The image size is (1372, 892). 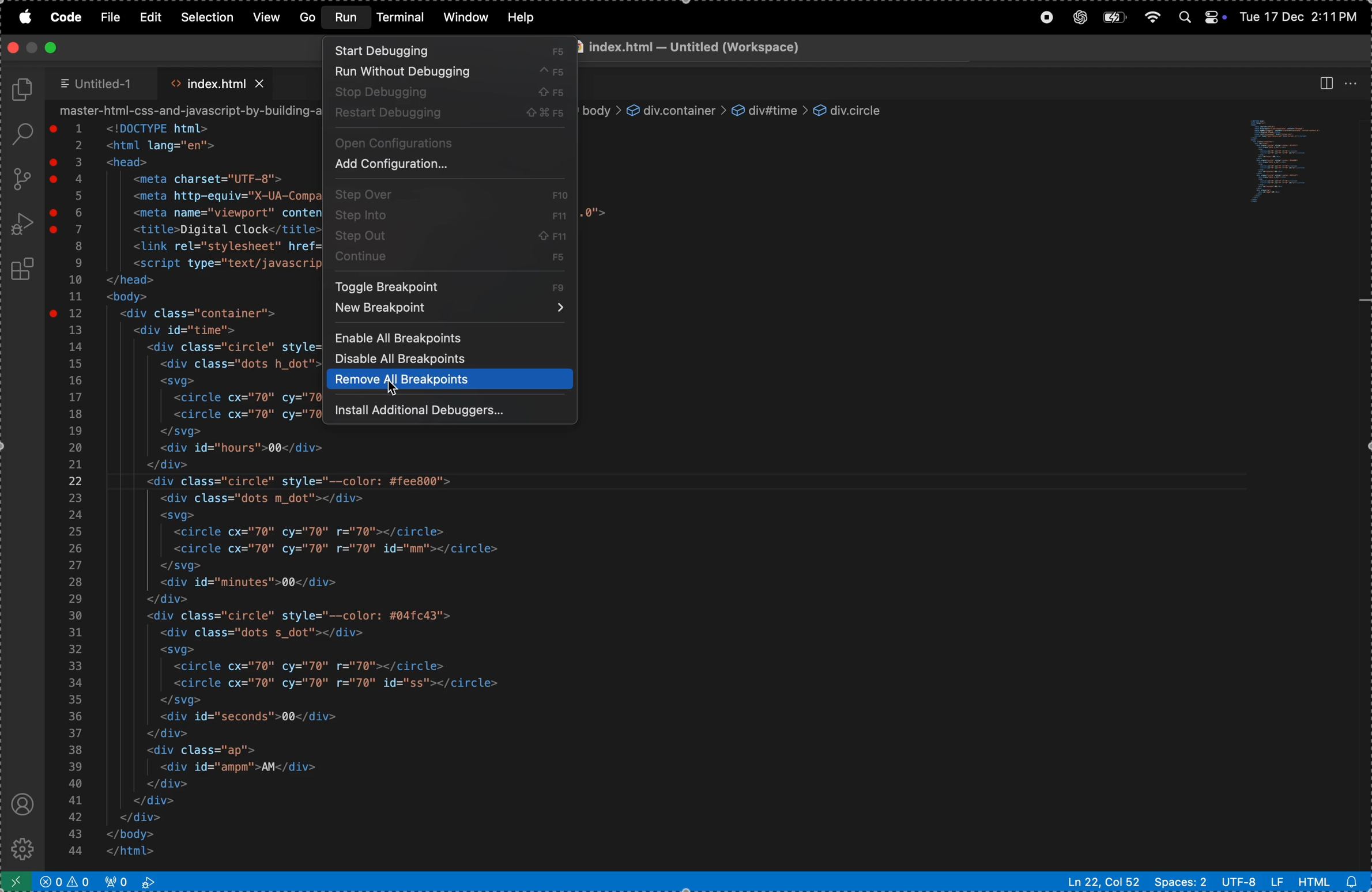 What do you see at coordinates (21, 179) in the screenshot?
I see `source control` at bounding box center [21, 179].